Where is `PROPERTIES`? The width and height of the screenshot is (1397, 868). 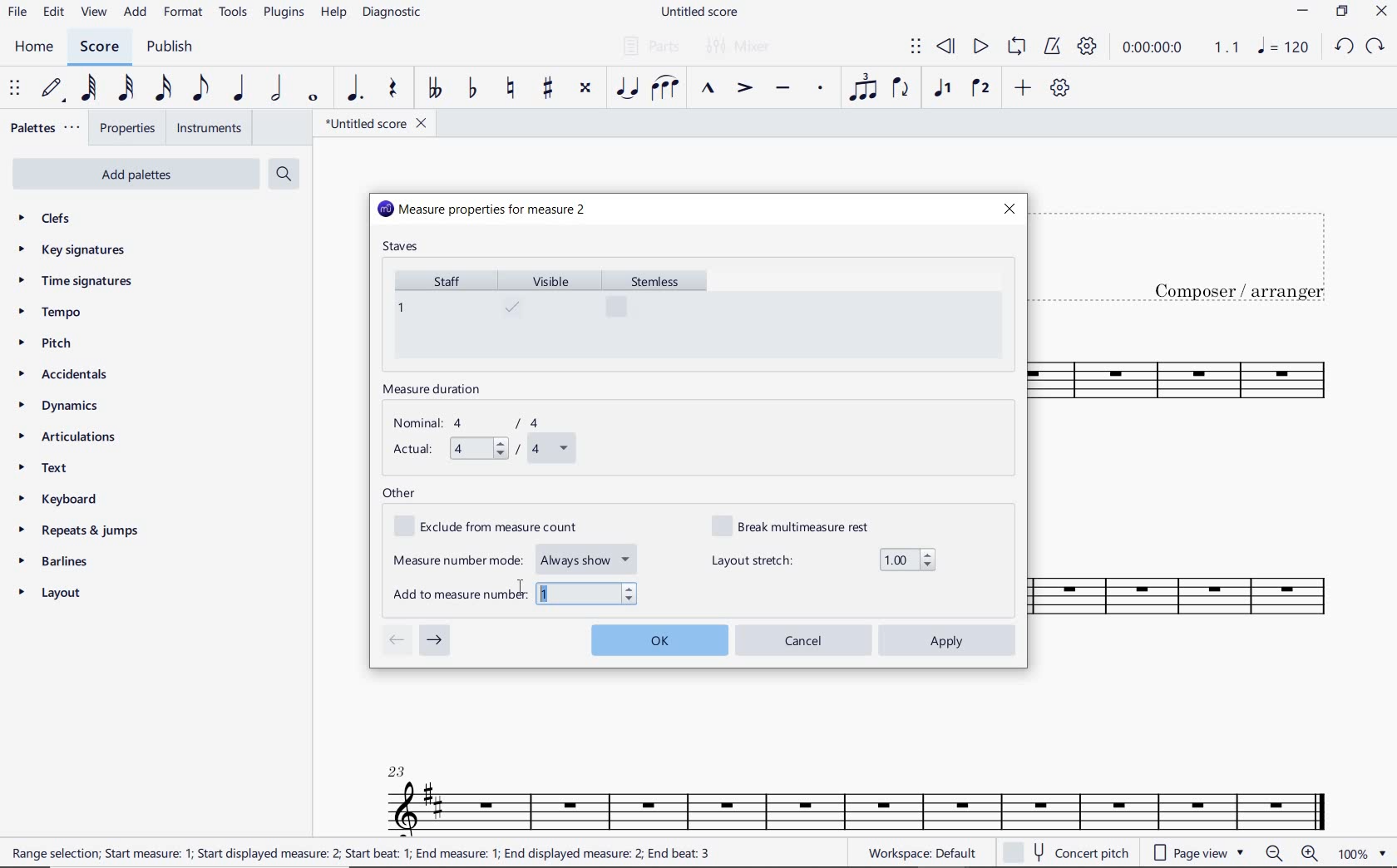
PROPERTIES is located at coordinates (126, 131).